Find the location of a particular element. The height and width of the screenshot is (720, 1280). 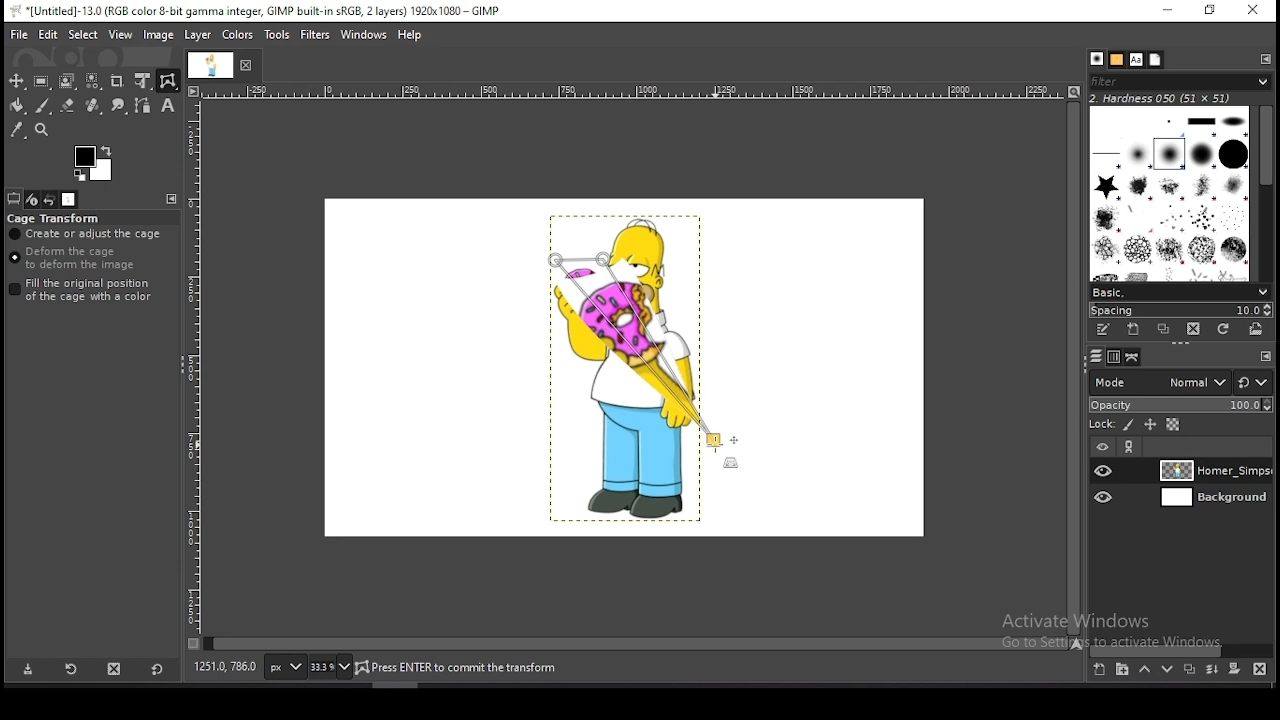

scroll bar is located at coordinates (636, 642).